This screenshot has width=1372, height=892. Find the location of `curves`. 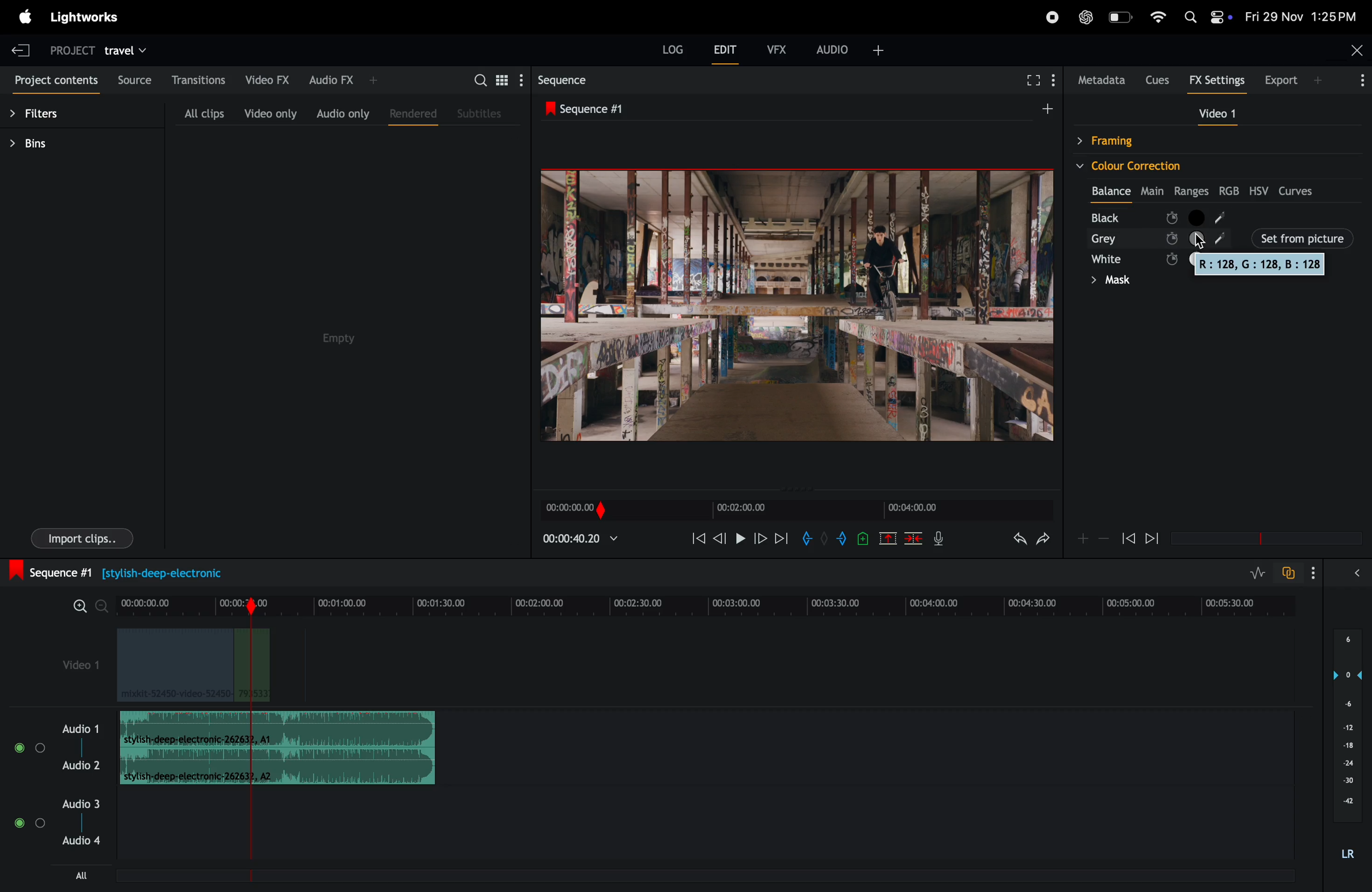

curves is located at coordinates (1299, 191).